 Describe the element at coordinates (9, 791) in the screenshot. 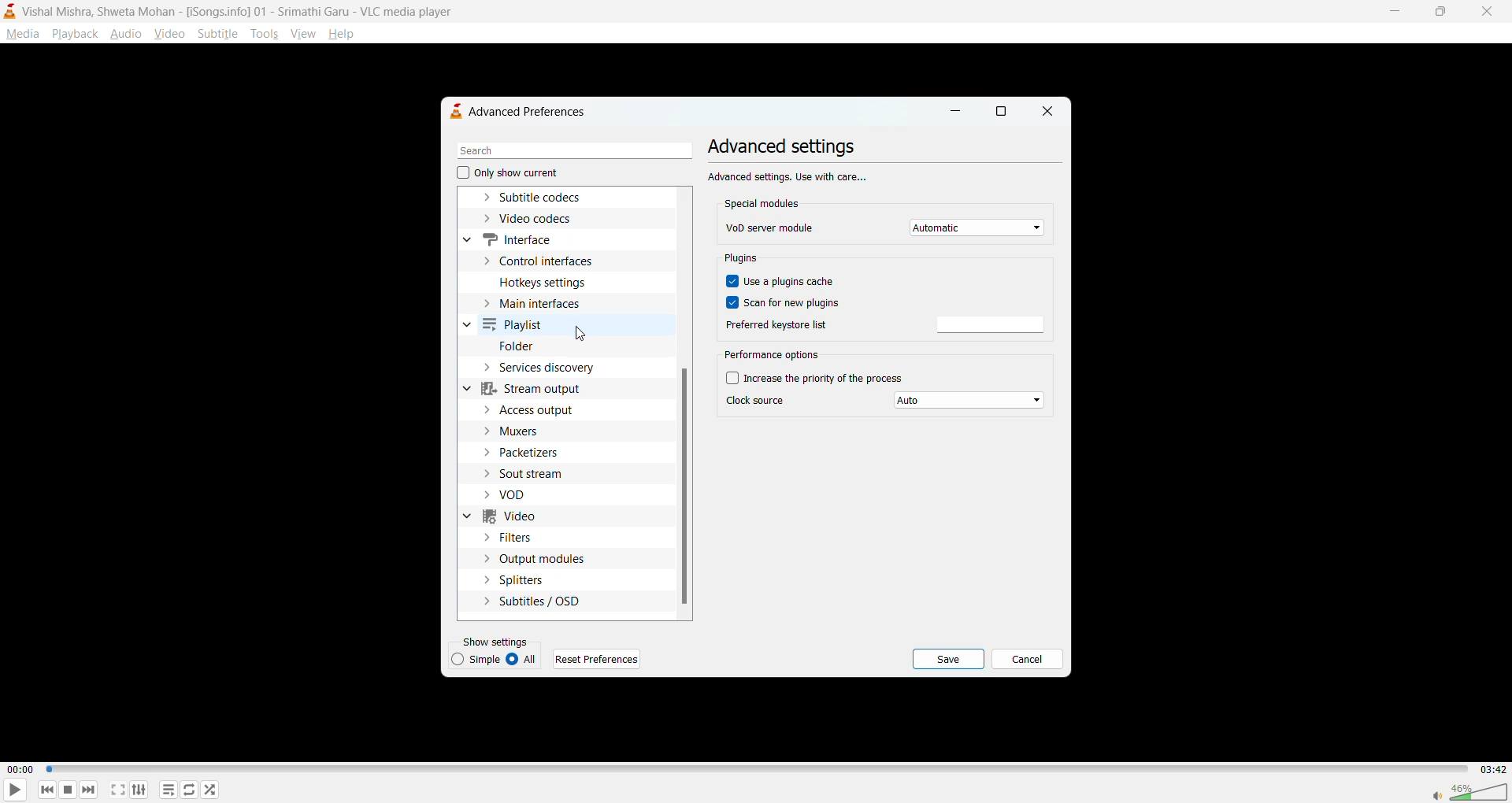

I see `play` at that location.